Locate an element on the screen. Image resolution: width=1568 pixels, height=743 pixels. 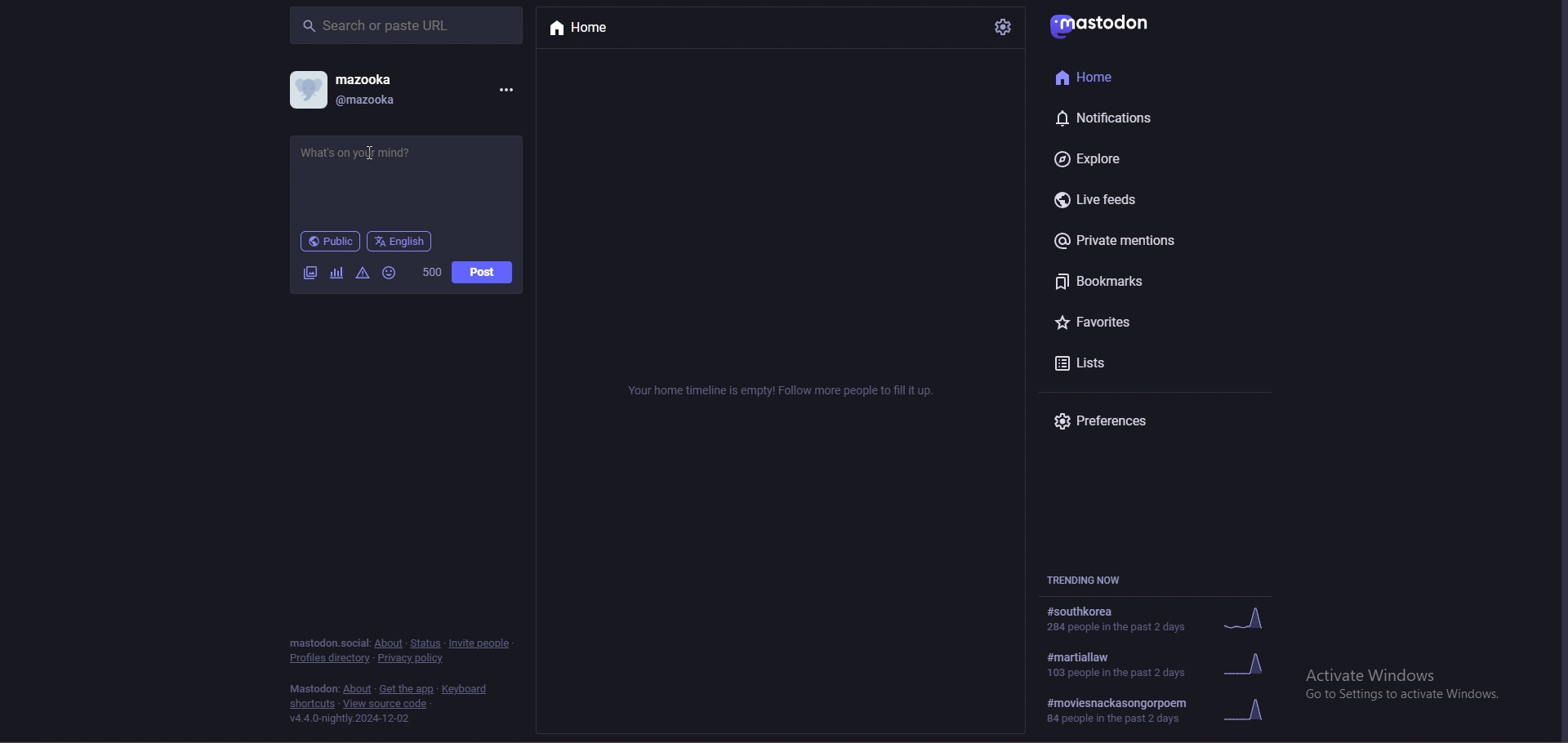
search bar is located at coordinates (408, 24).